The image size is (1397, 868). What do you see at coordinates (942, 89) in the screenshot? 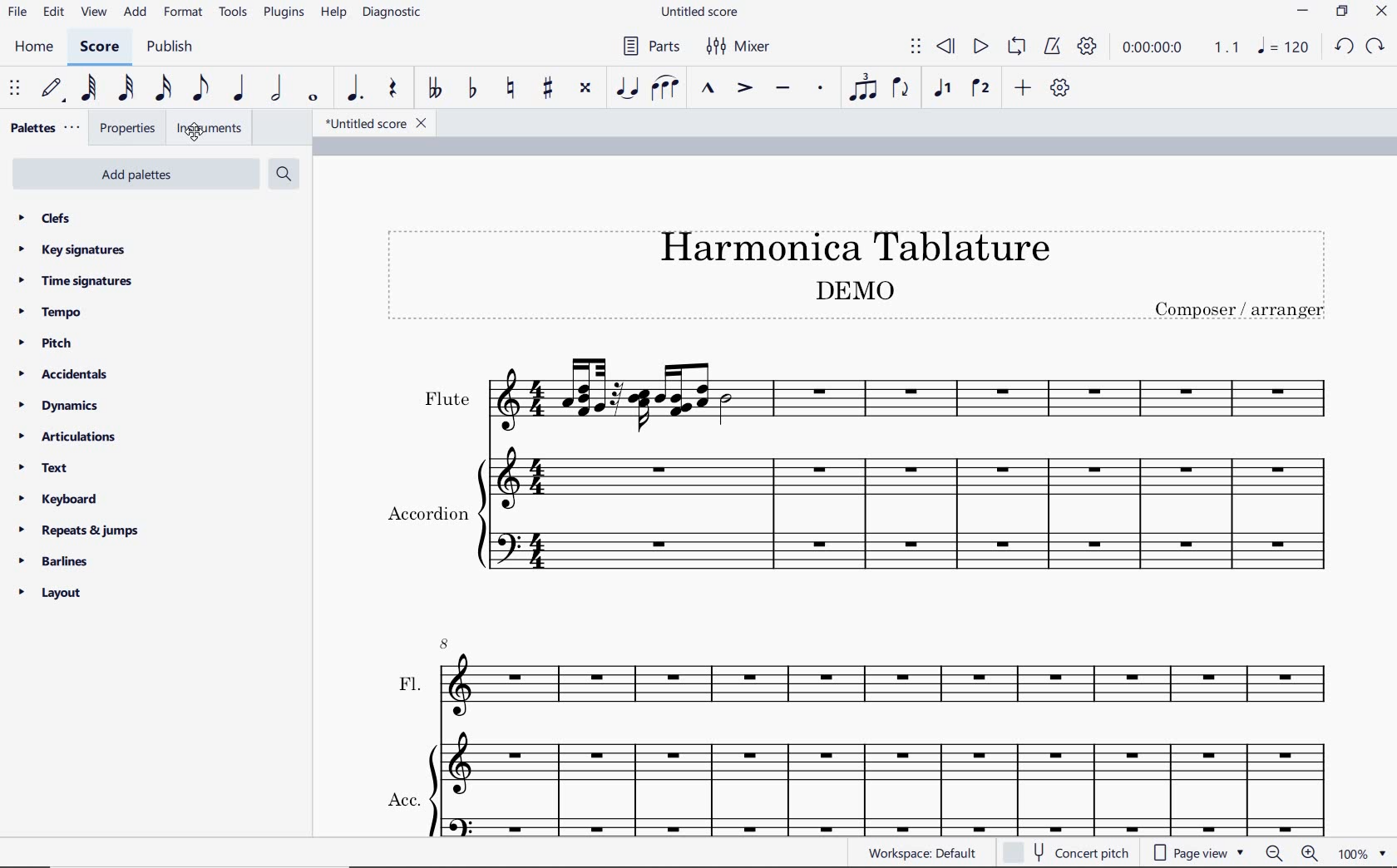
I see `voice1` at bounding box center [942, 89].